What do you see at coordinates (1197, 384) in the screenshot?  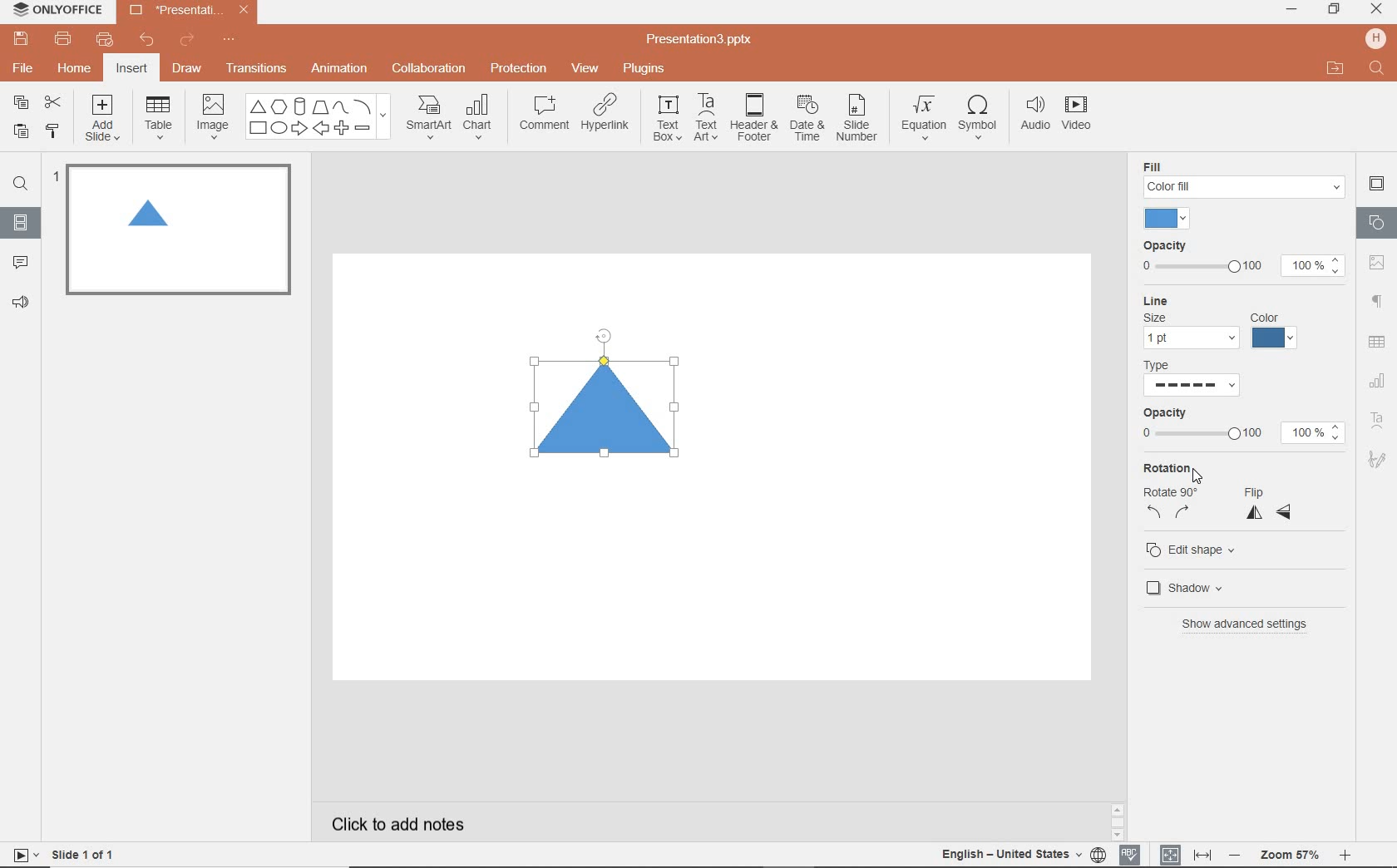 I see `dashed lines` at bounding box center [1197, 384].